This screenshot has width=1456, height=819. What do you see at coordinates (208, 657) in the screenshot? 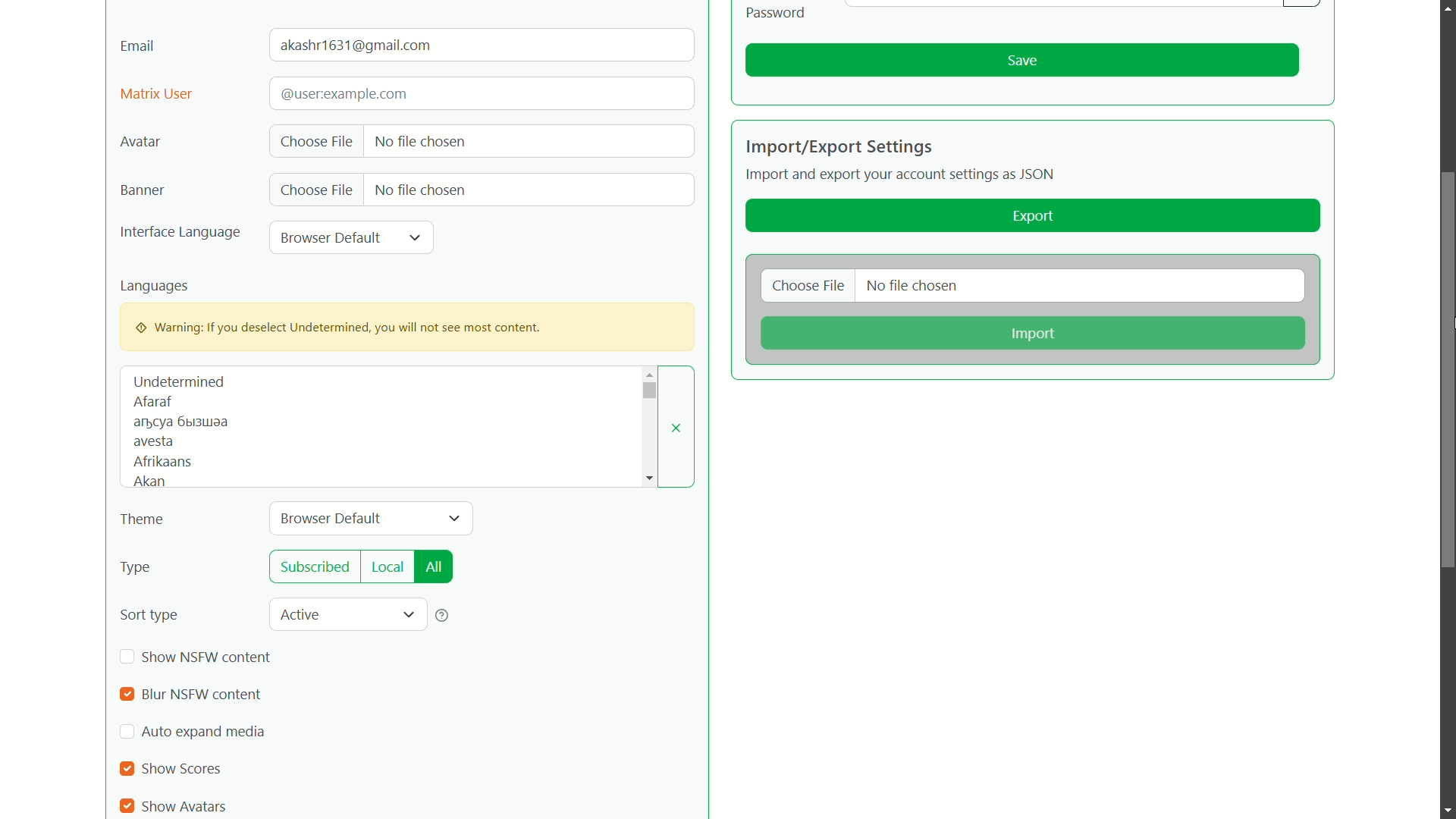
I see `show nsfw content` at bounding box center [208, 657].